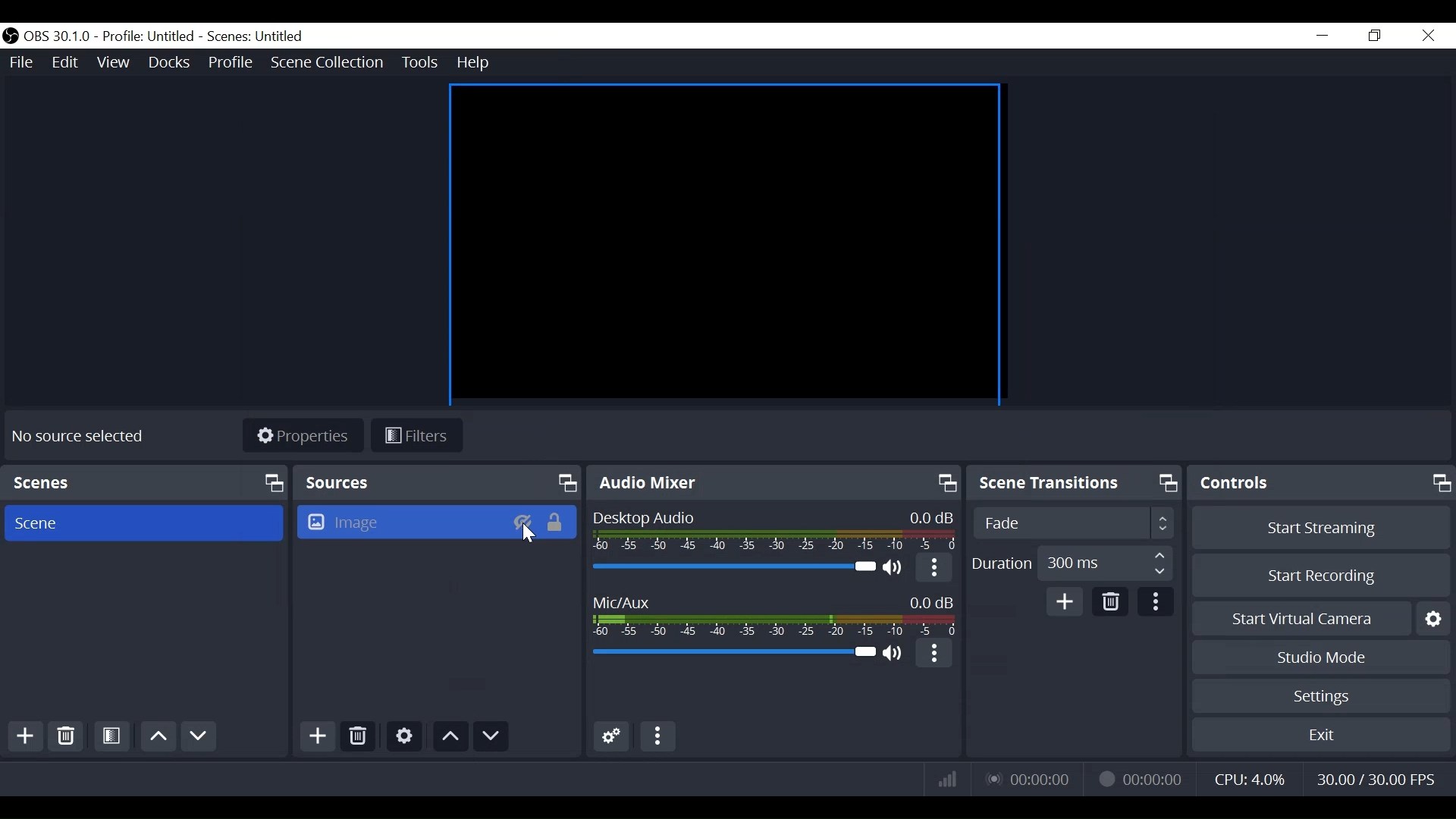 The width and height of the screenshot is (1456, 819). I want to click on No source selected, so click(76, 439).